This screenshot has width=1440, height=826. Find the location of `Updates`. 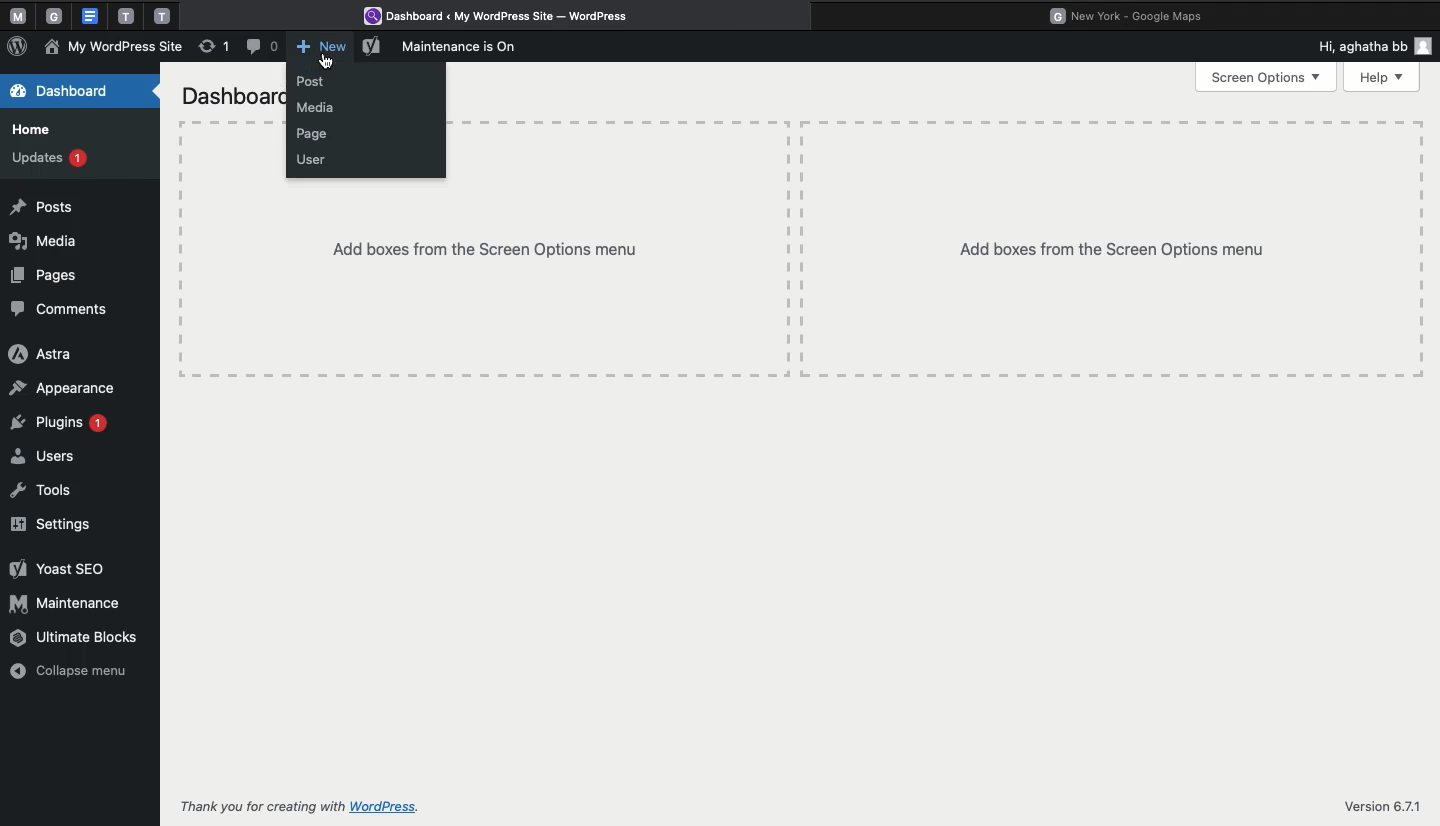

Updates is located at coordinates (49, 159).